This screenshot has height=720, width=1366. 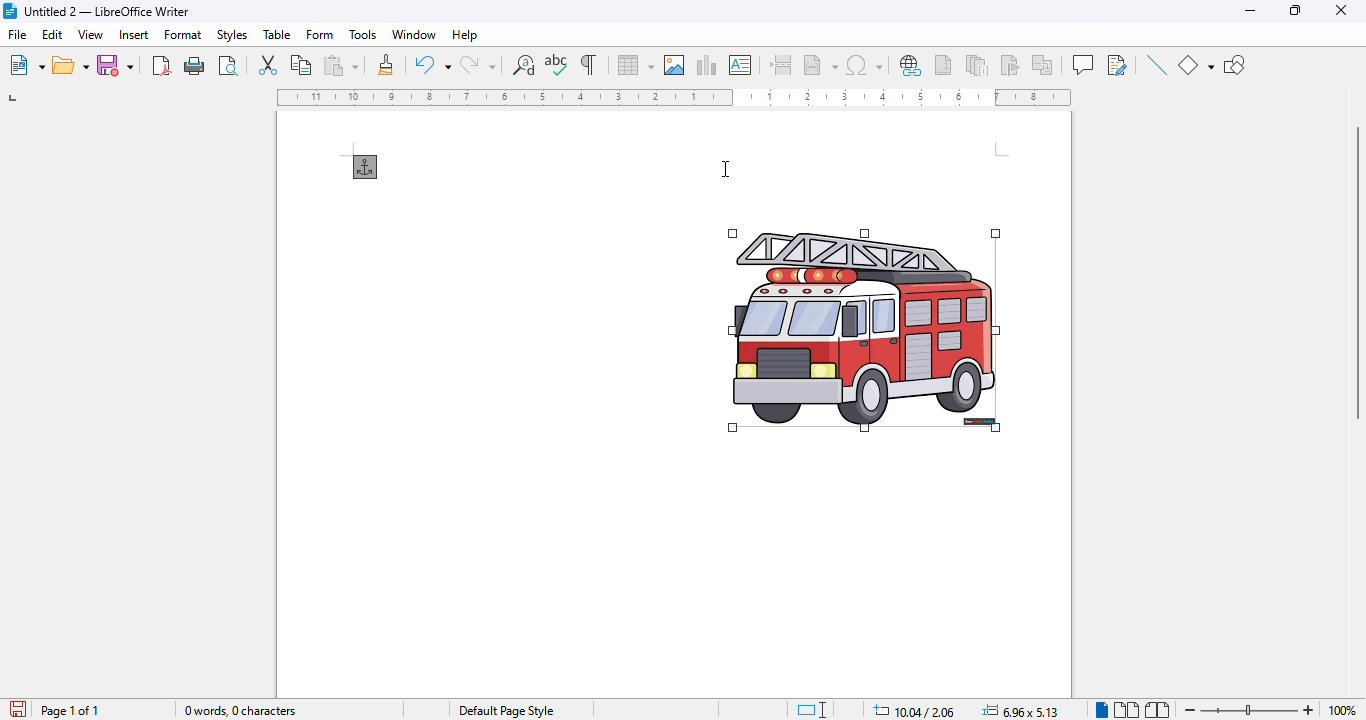 What do you see at coordinates (705, 65) in the screenshot?
I see `insert chart` at bounding box center [705, 65].